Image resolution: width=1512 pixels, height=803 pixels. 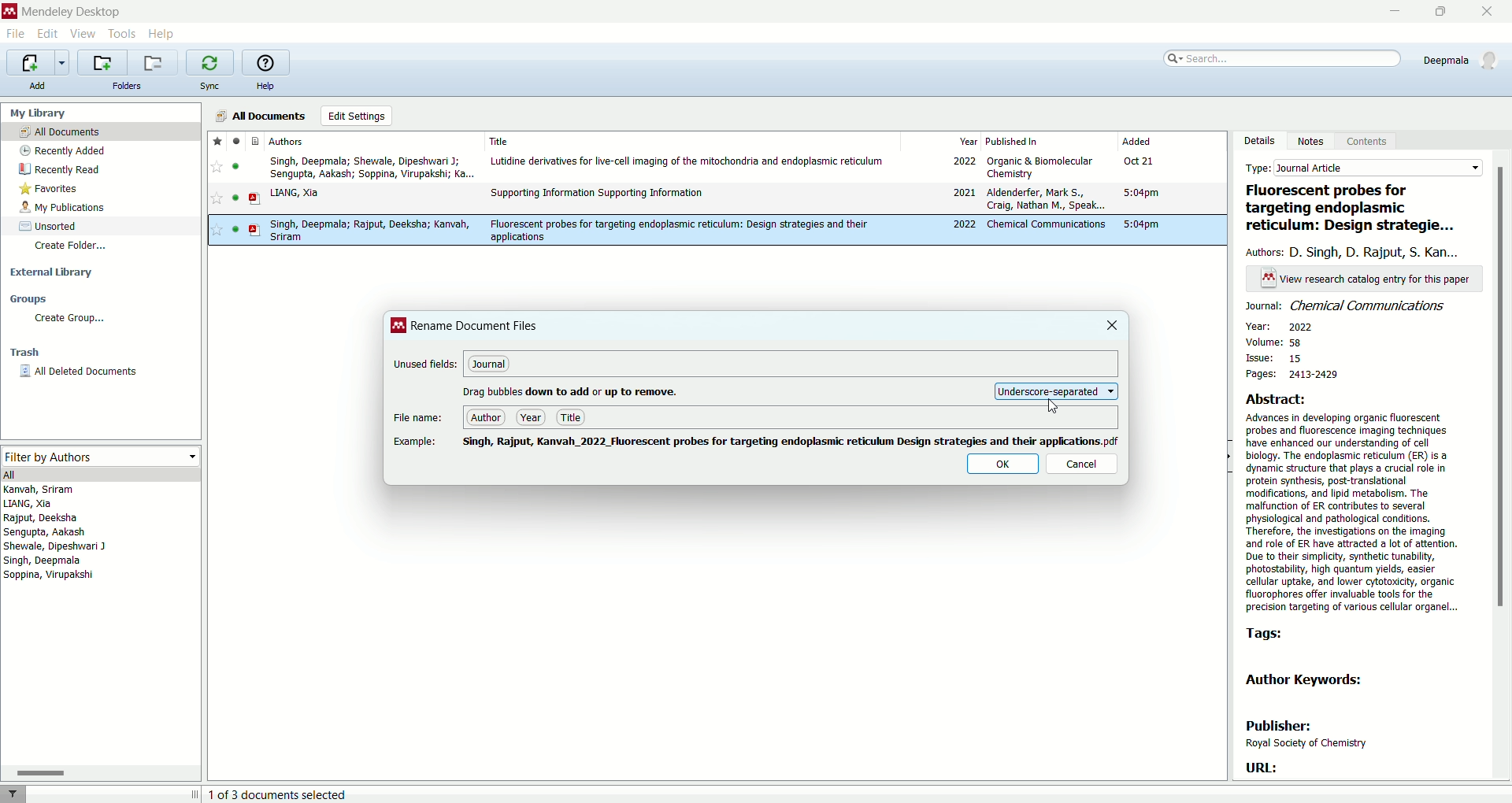 I want to click on Chemical communications, so click(x=1044, y=224).